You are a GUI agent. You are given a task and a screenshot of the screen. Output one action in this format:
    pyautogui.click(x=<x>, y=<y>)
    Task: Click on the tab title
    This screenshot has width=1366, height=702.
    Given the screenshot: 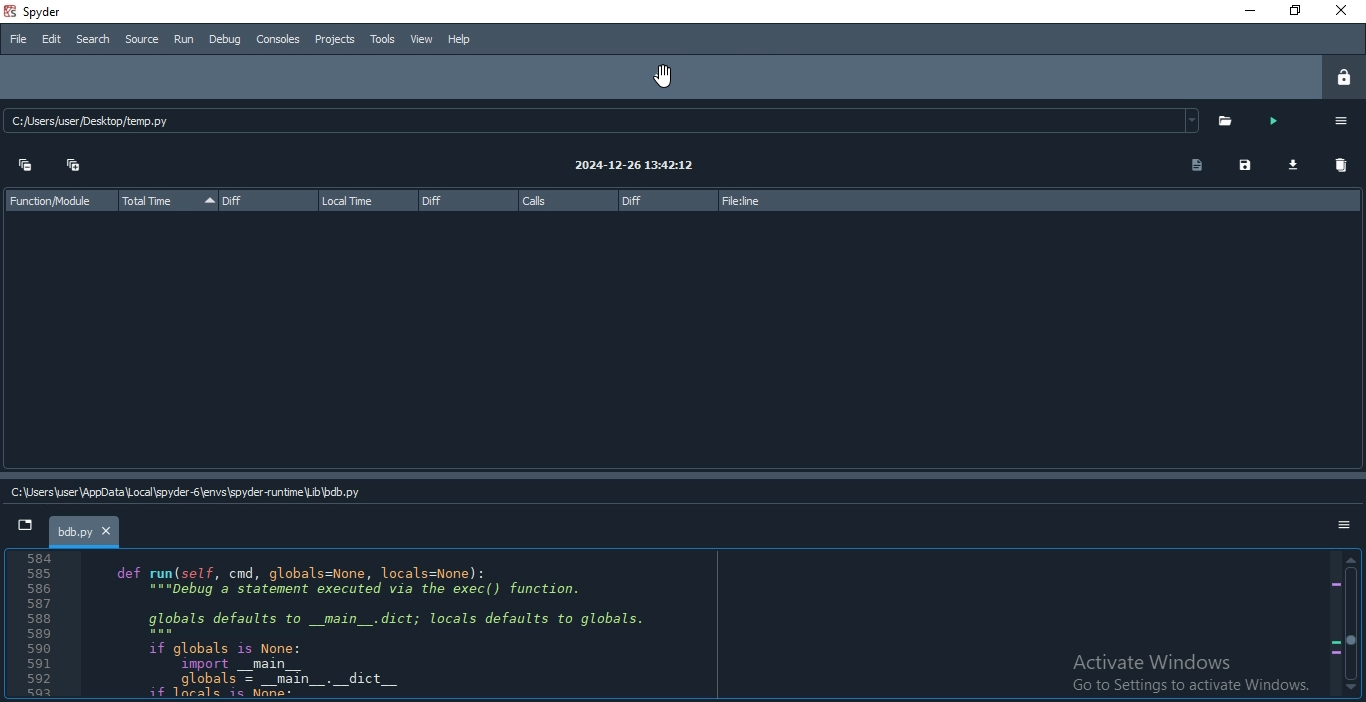 What is the action you would take?
    pyautogui.click(x=87, y=530)
    